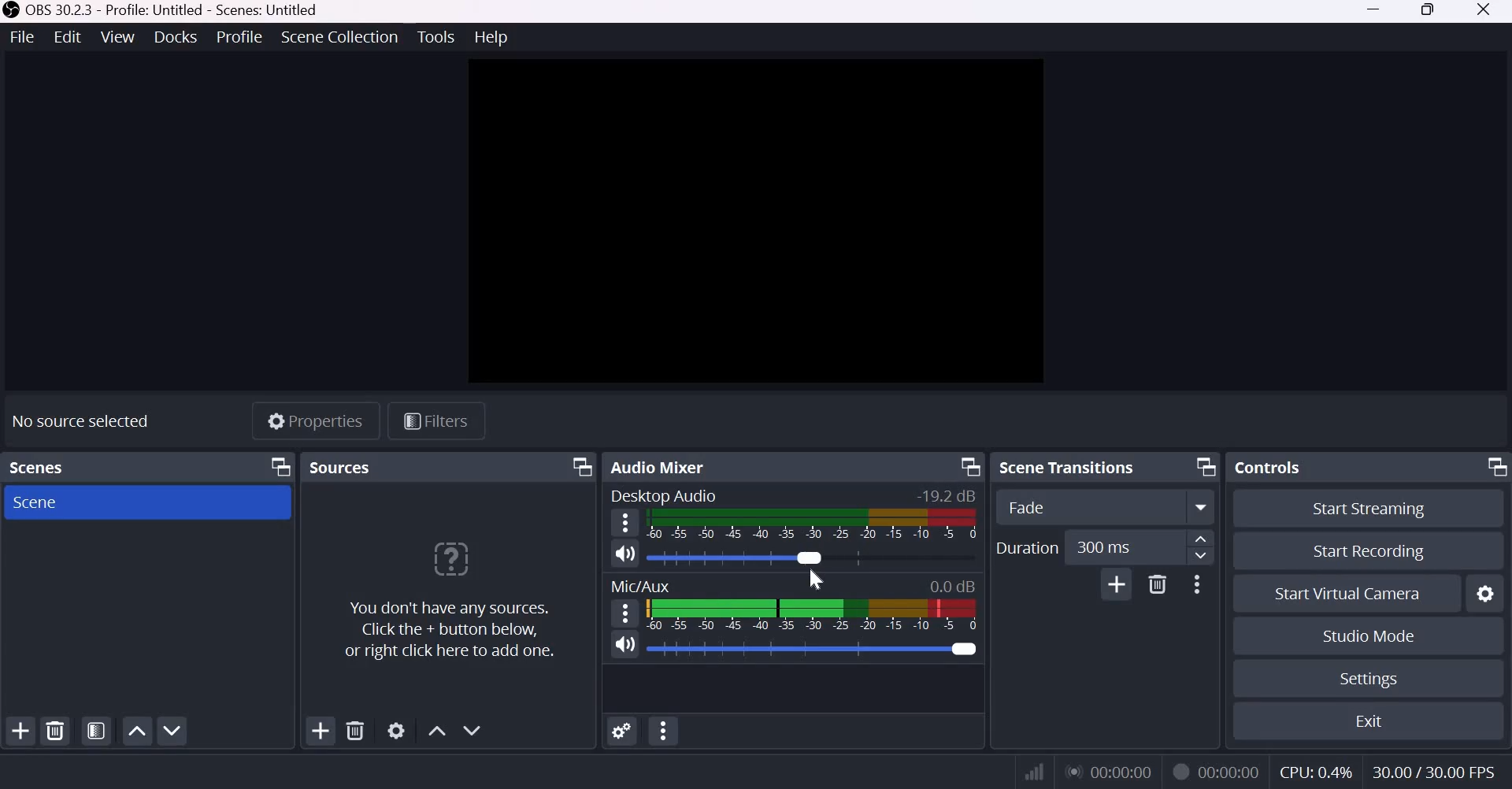 This screenshot has width=1512, height=789. Describe the element at coordinates (1203, 507) in the screenshot. I see `More options` at that location.